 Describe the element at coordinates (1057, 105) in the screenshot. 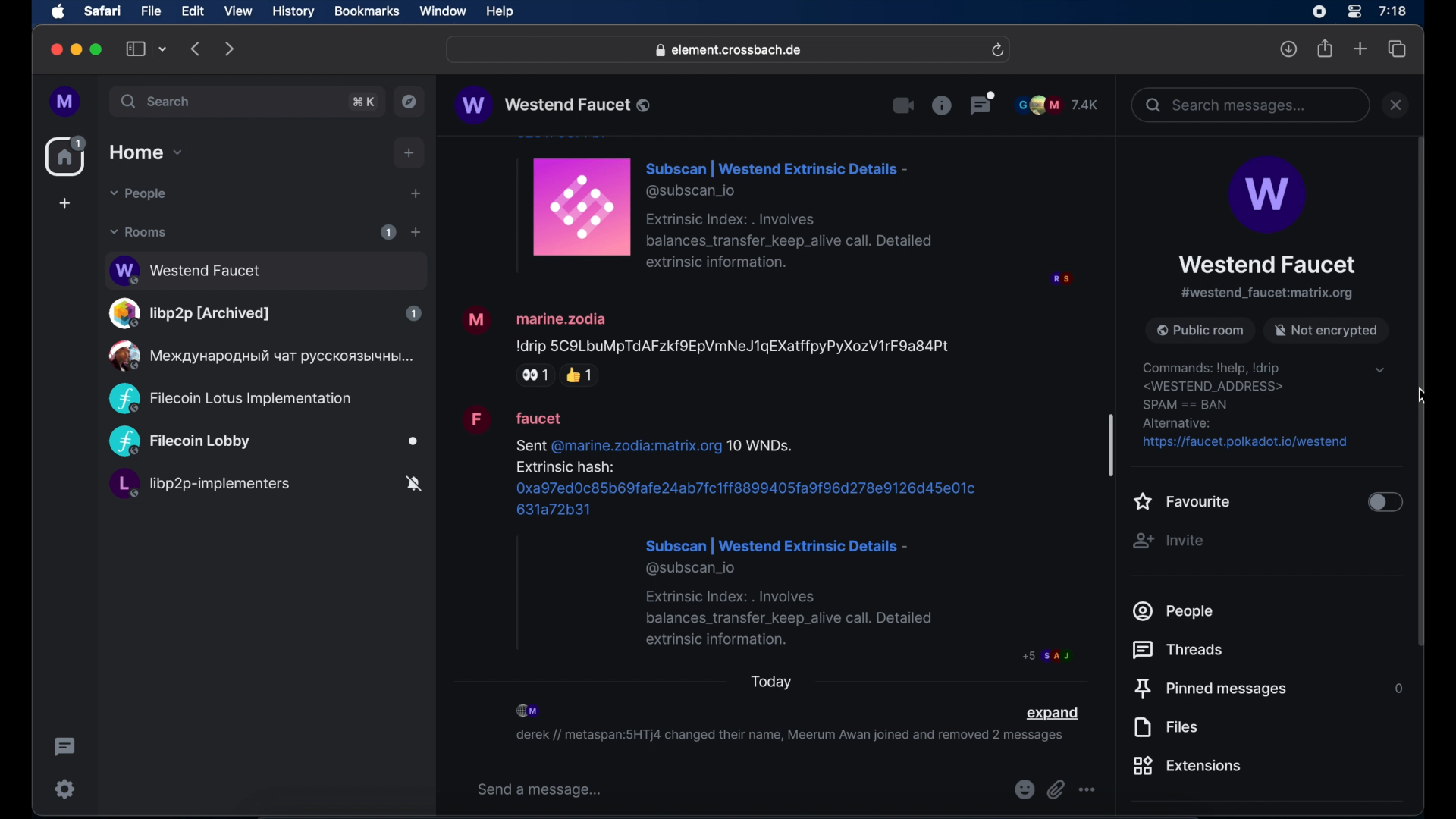

I see `participants` at that location.